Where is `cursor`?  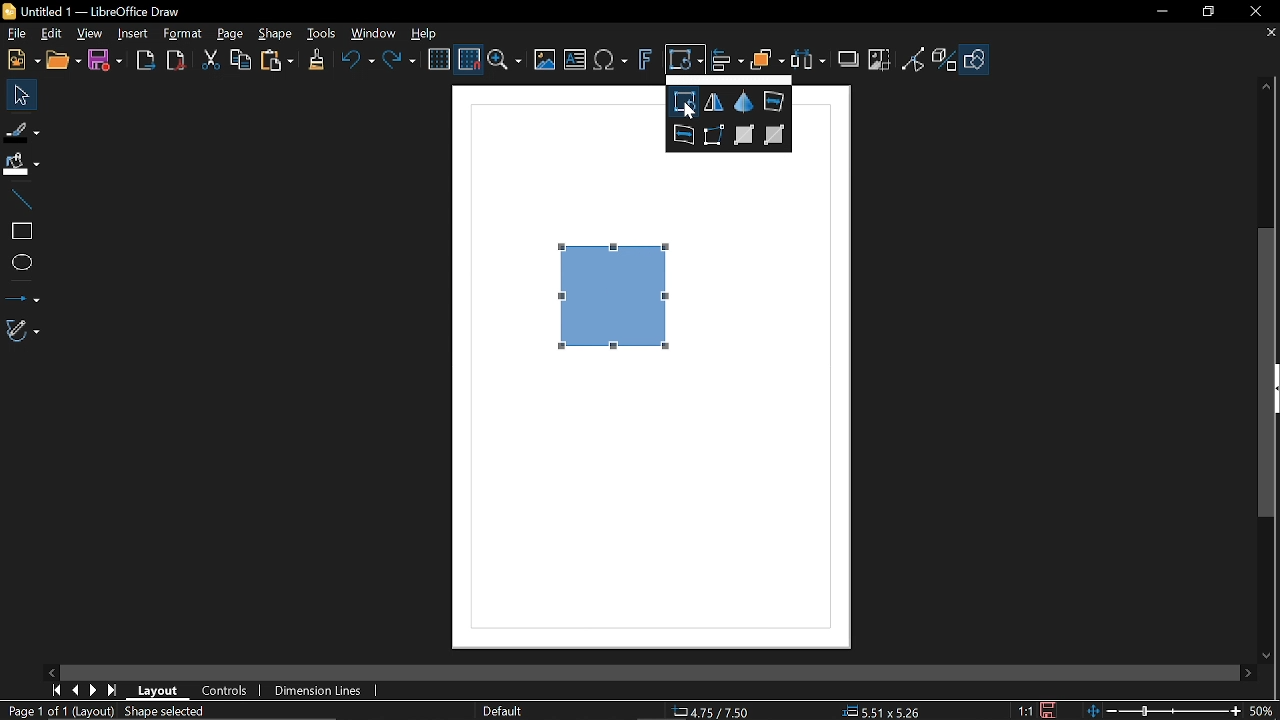 cursor is located at coordinates (689, 112).